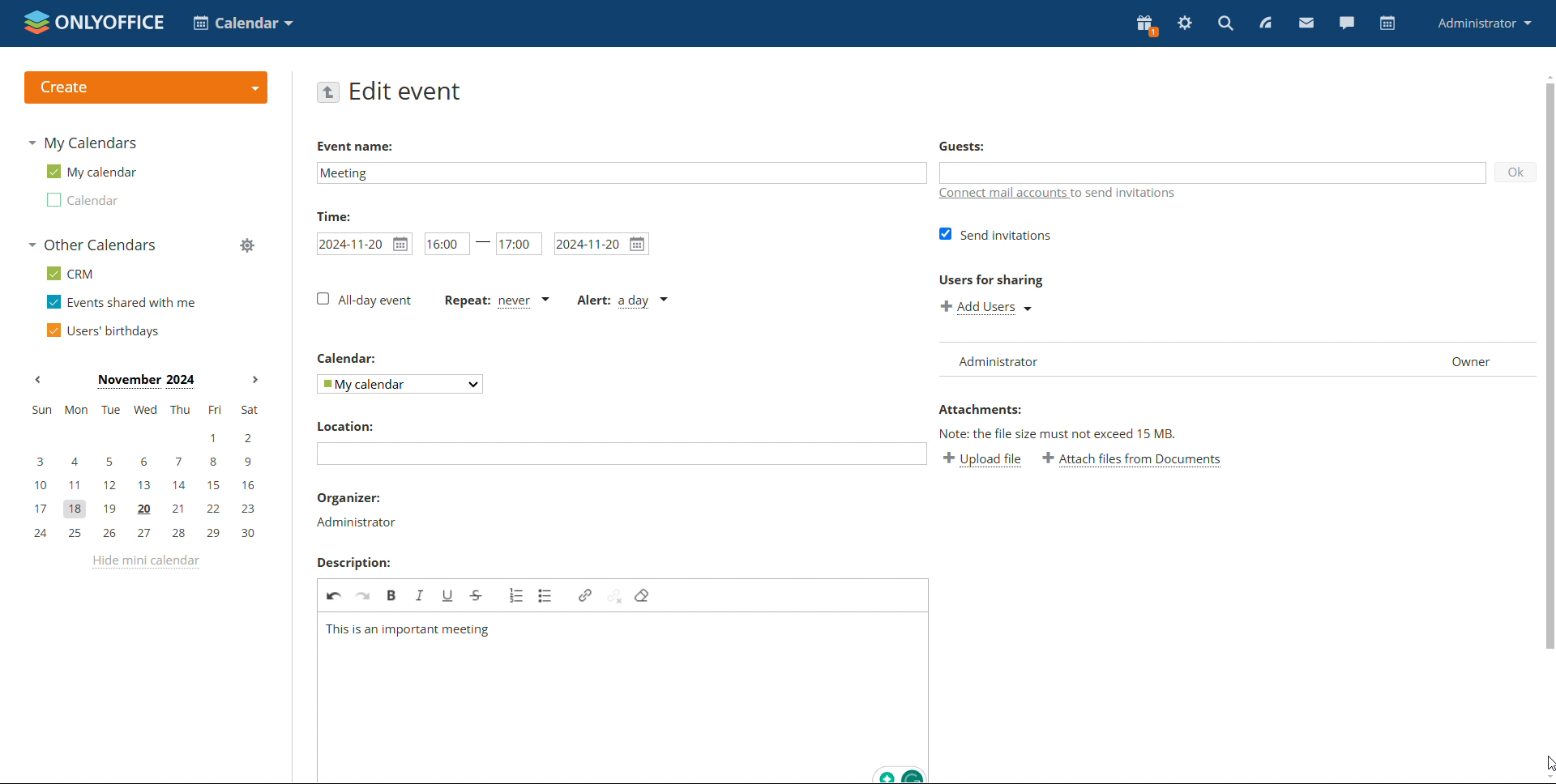  What do you see at coordinates (1234, 360) in the screenshot?
I see `list of users` at bounding box center [1234, 360].